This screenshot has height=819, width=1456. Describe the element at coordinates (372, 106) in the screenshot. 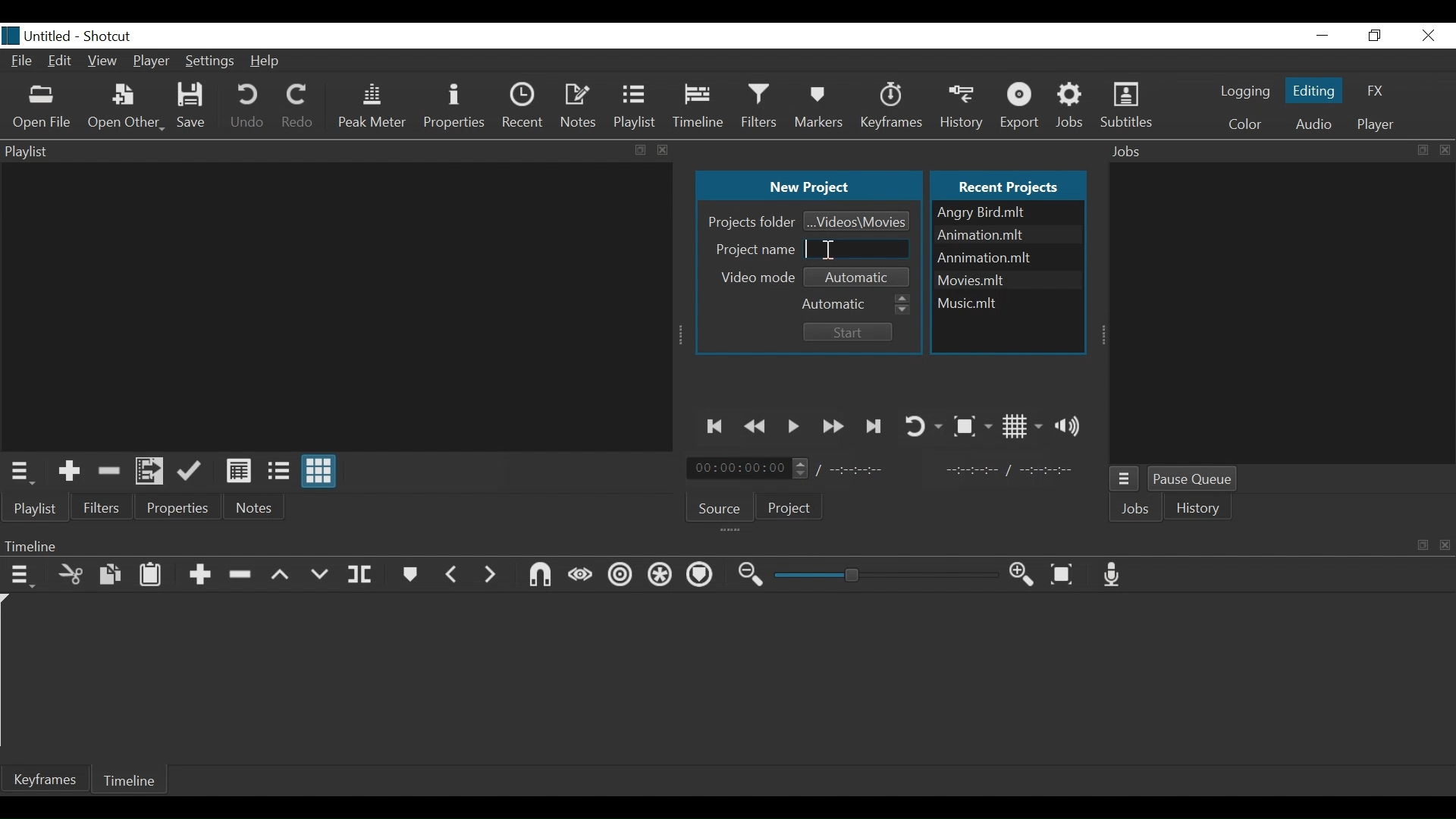

I see `Peak Meter` at that location.